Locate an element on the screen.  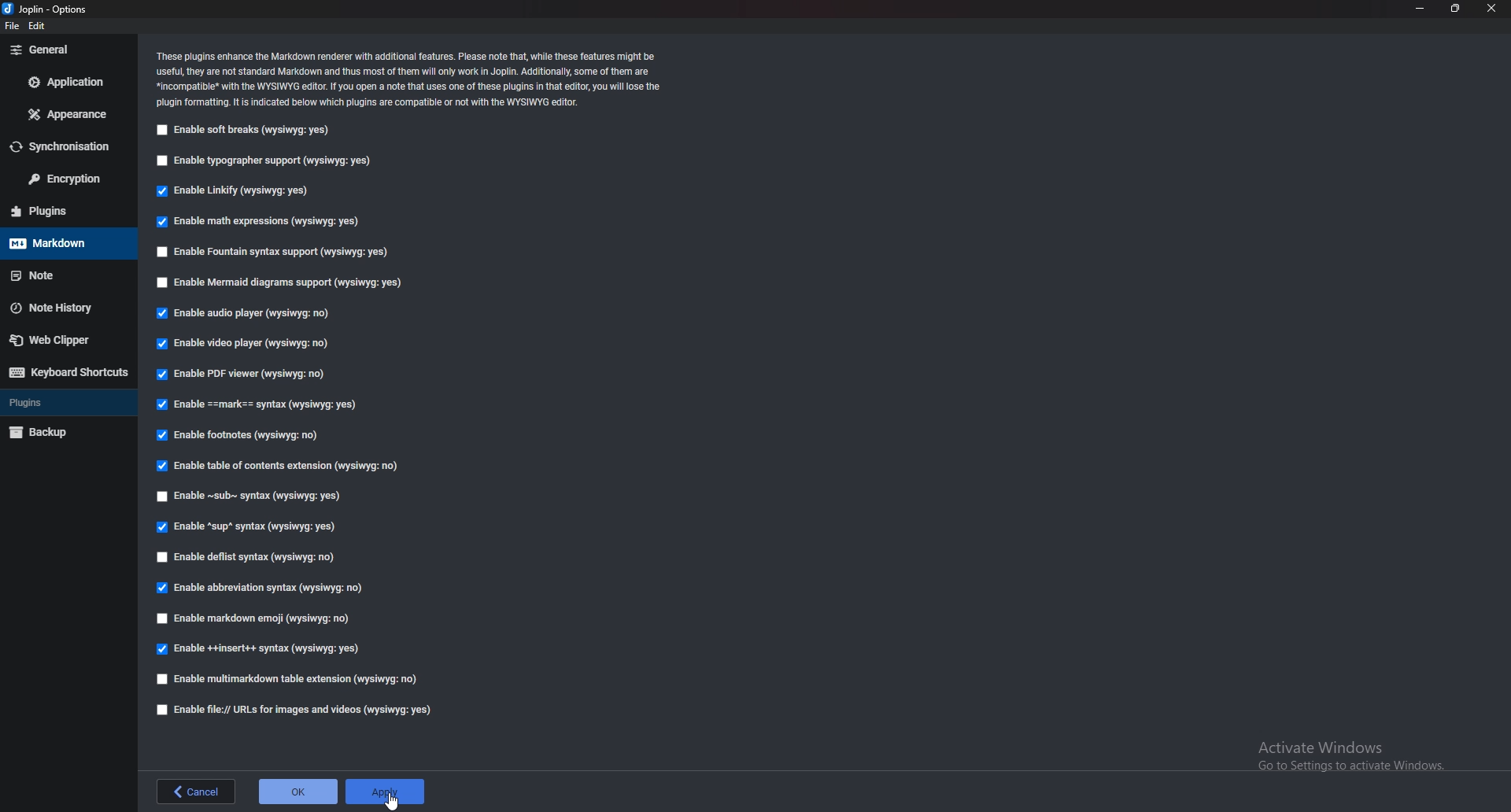
minimize is located at coordinates (1421, 7).